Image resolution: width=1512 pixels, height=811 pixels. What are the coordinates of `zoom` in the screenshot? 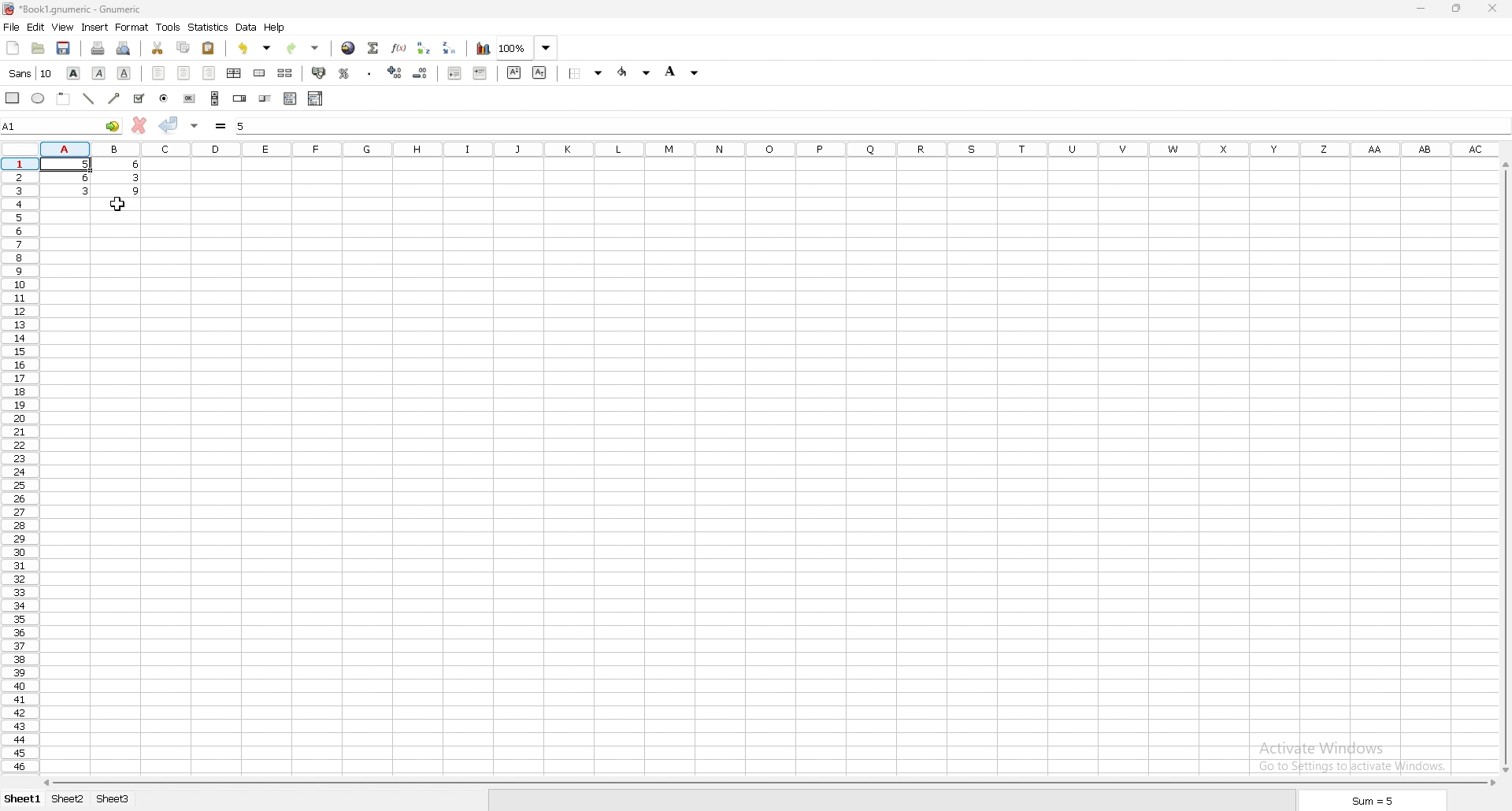 It's located at (528, 46).